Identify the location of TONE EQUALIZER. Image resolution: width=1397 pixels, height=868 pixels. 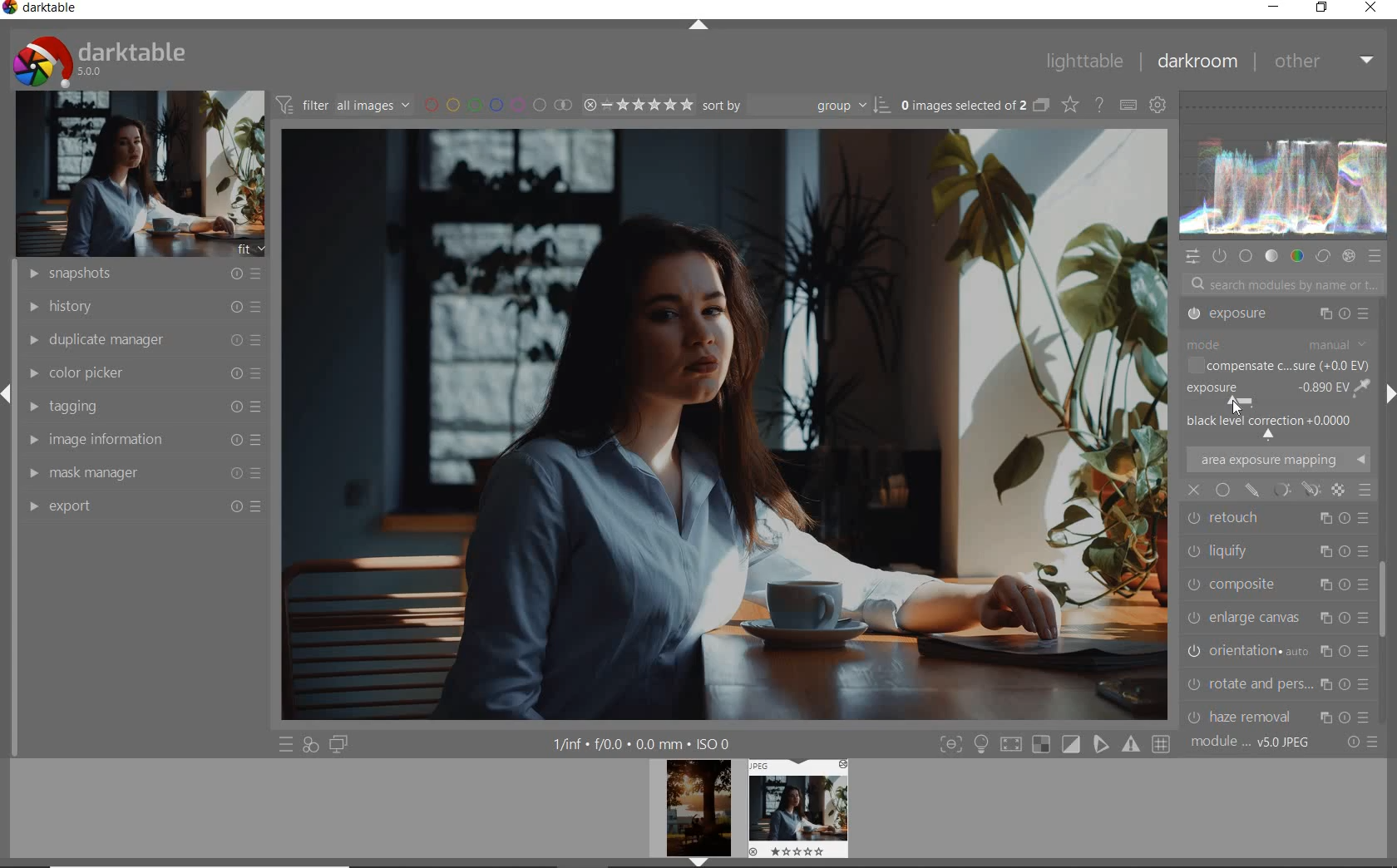
(1276, 353).